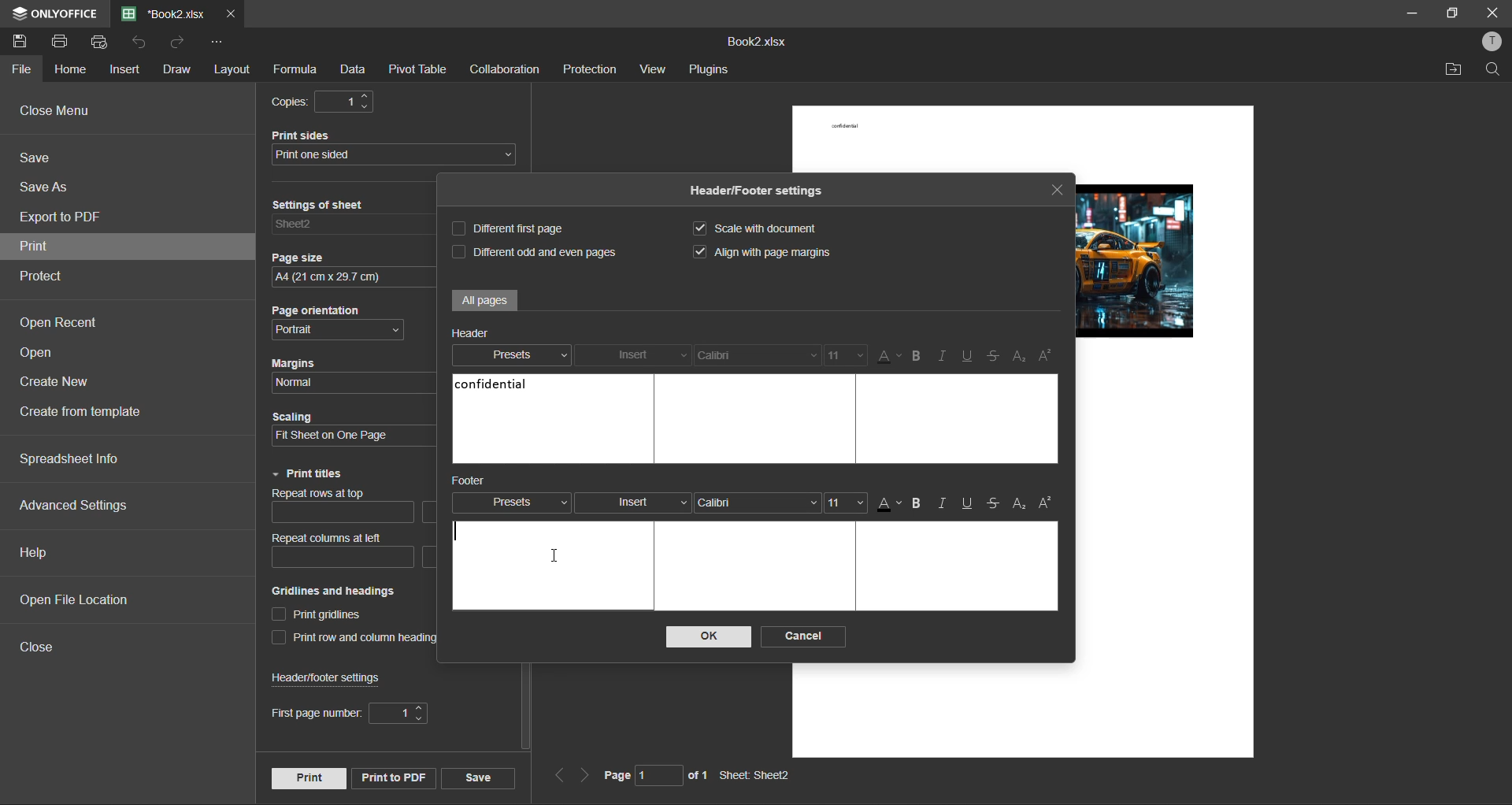 This screenshot has width=1512, height=805. Describe the element at coordinates (65, 215) in the screenshot. I see `export to pdf` at that location.